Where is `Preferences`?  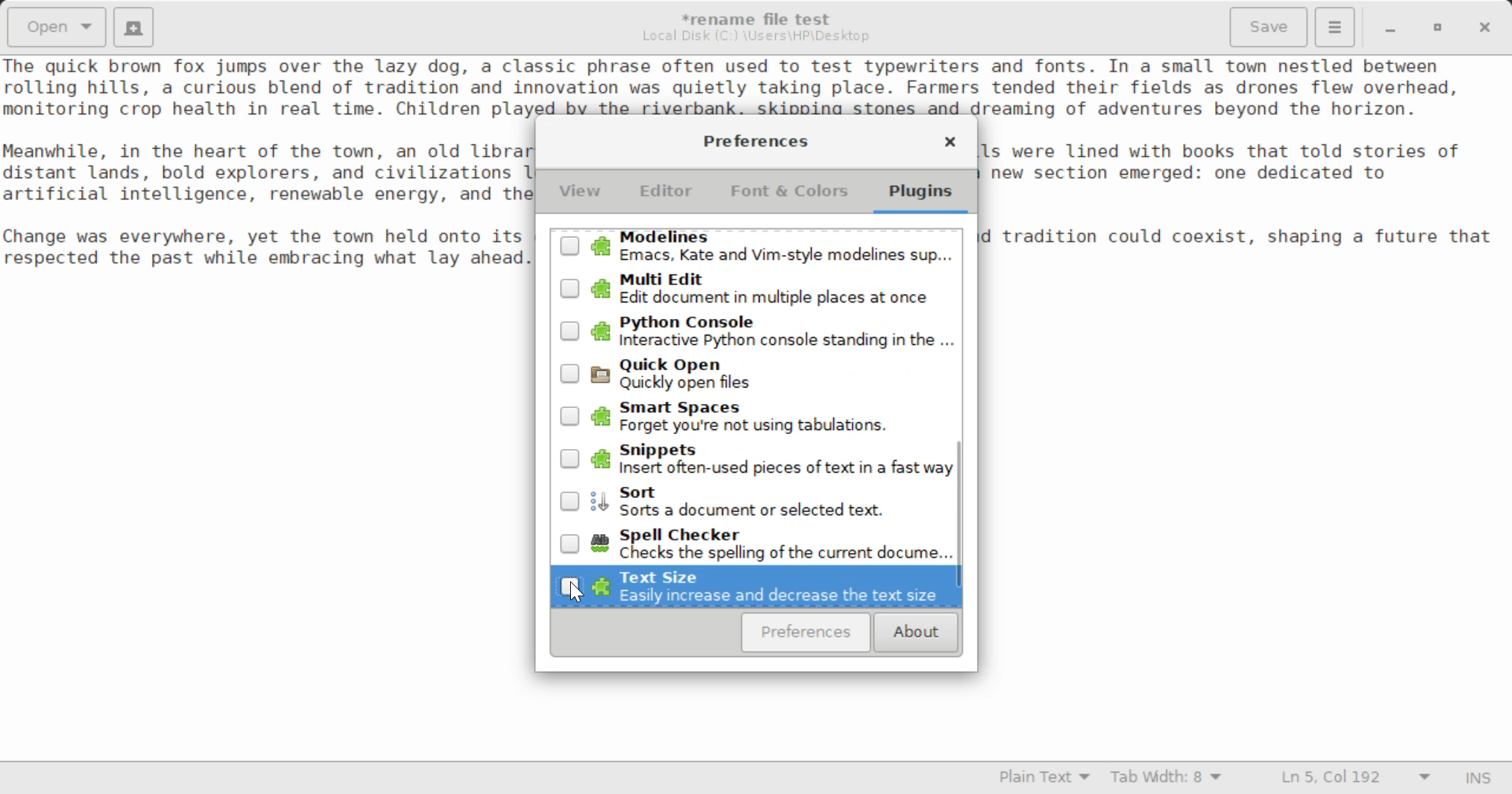 Preferences is located at coordinates (806, 633).